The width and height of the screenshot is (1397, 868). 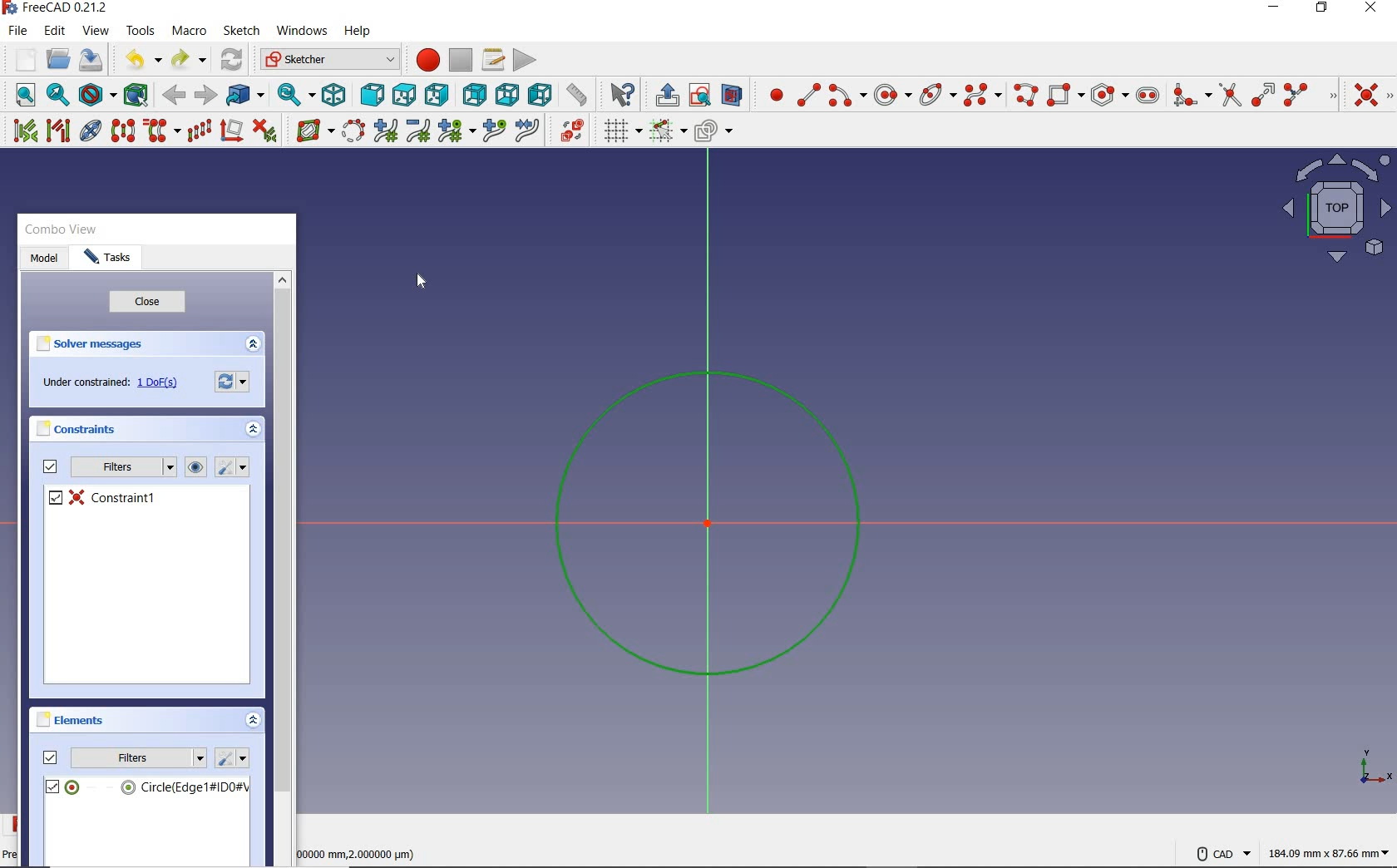 What do you see at coordinates (1109, 94) in the screenshot?
I see `create regular polygon` at bounding box center [1109, 94].